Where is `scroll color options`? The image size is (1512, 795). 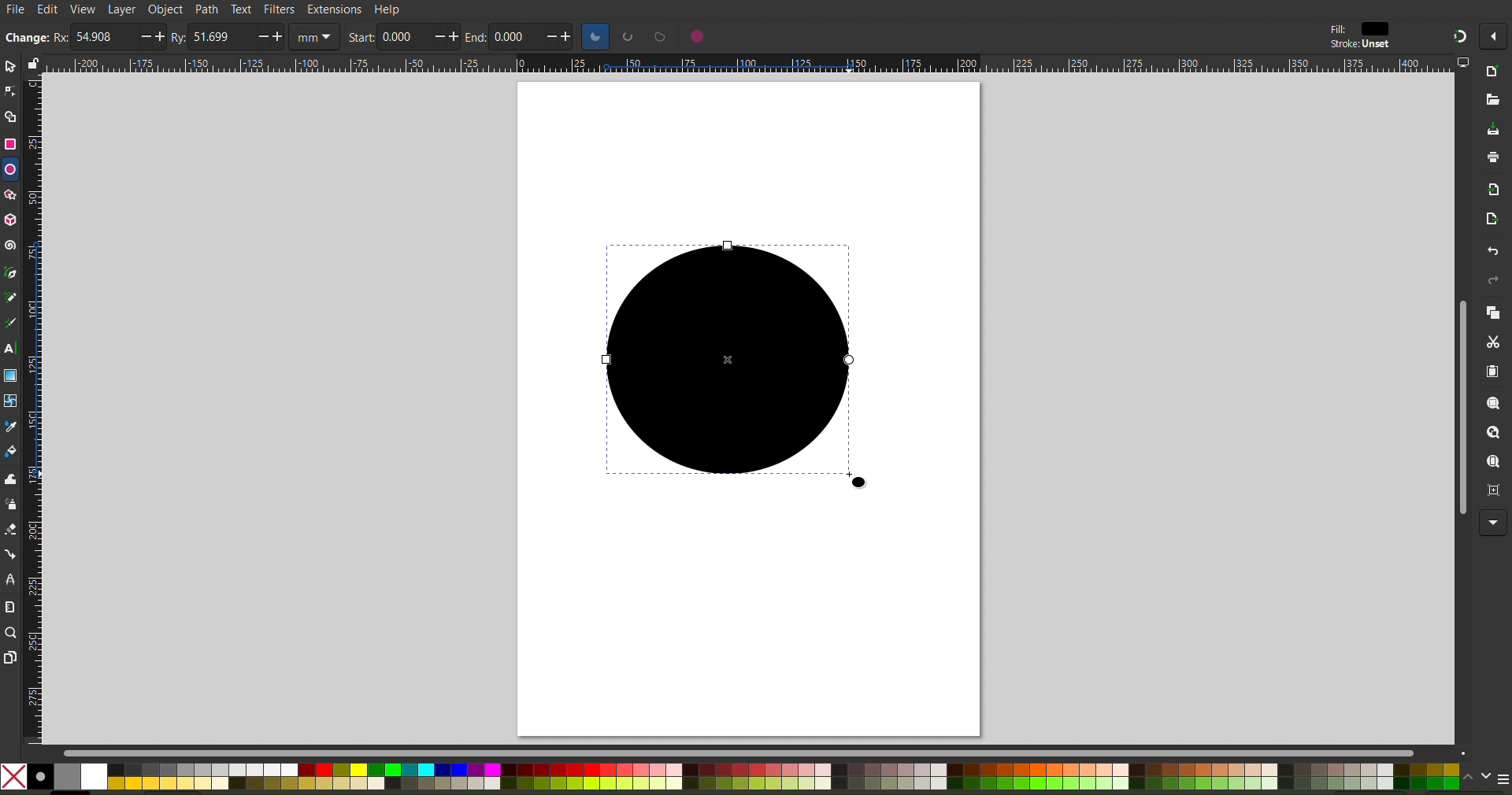
scroll color options is located at coordinates (1477, 781).